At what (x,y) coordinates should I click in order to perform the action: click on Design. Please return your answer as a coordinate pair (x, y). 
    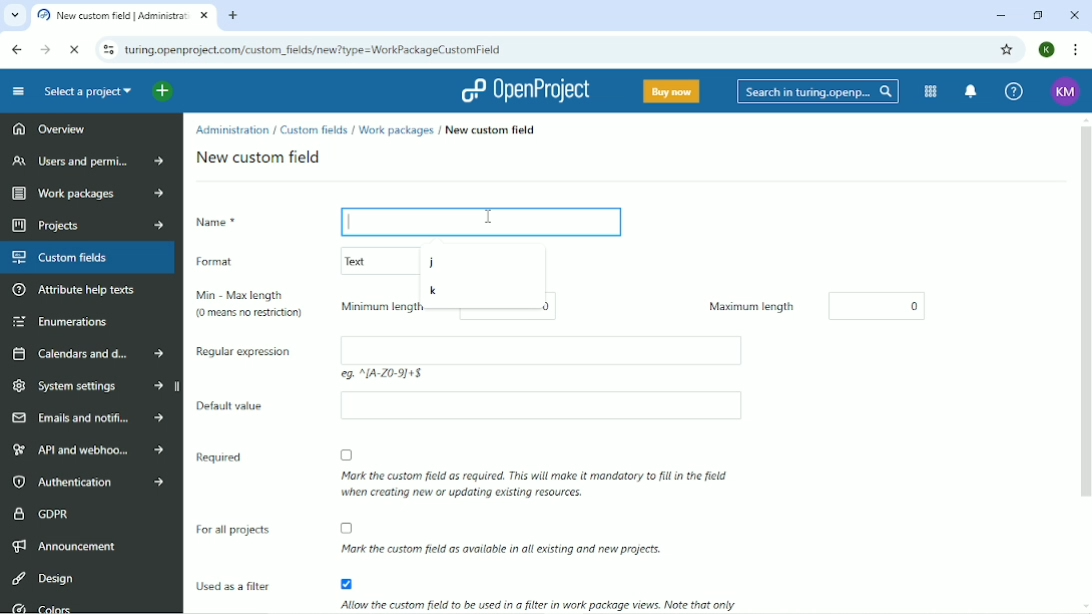
    Looking at the image, I should click on (43, 577).